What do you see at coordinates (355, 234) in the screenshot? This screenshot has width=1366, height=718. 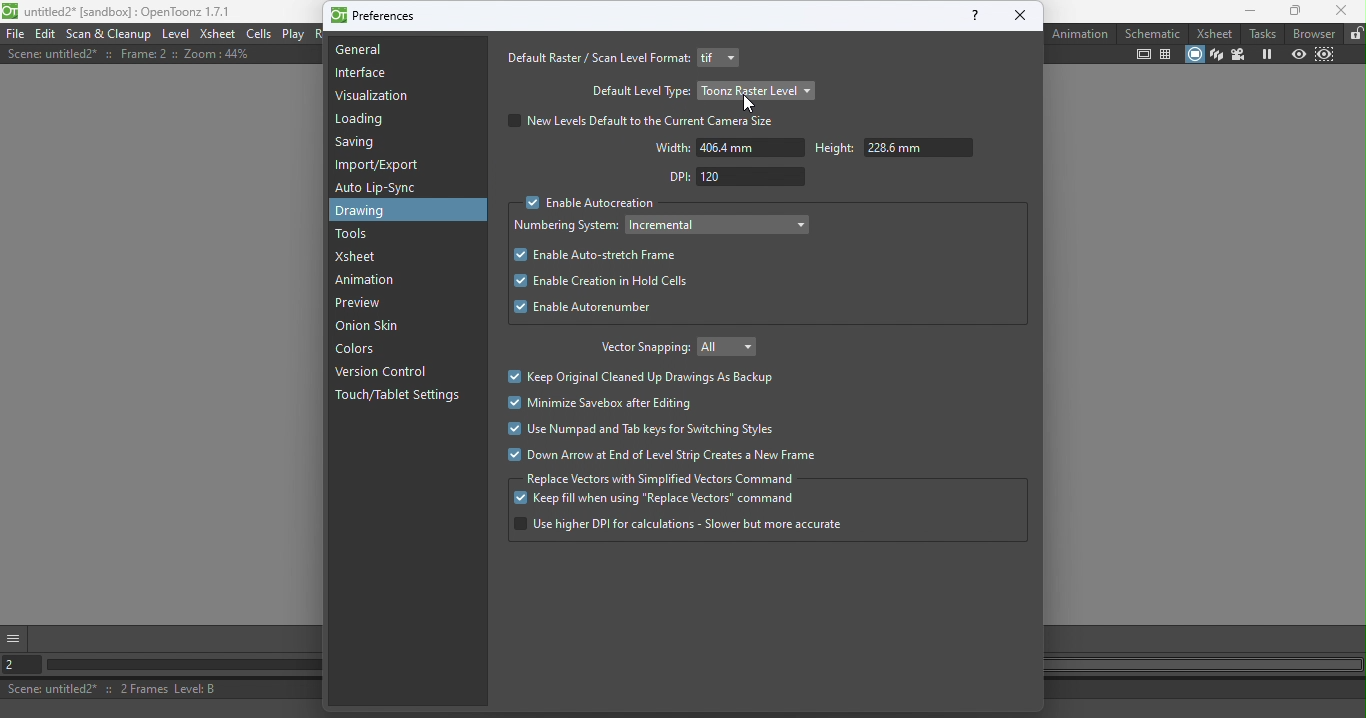 I see `Tools` at bounding box center [355, 234].